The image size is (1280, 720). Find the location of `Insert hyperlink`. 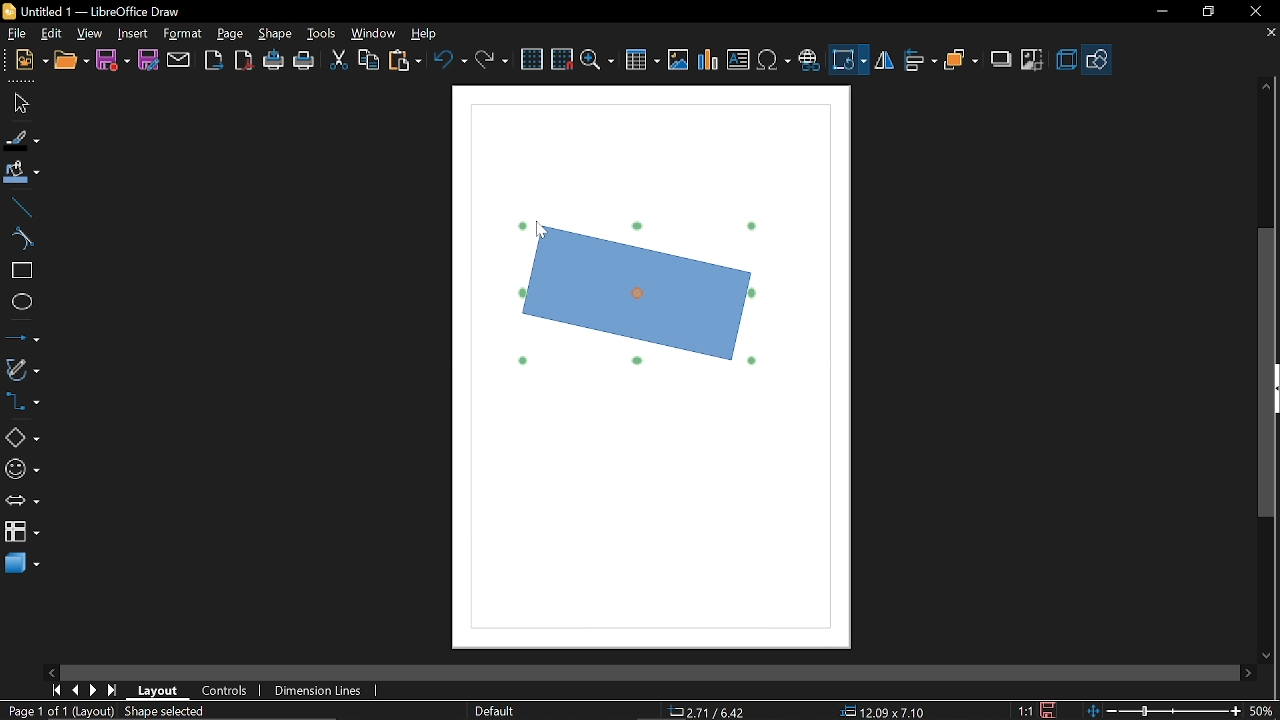

Insert hyperlink is located at coordinates (810, 58).